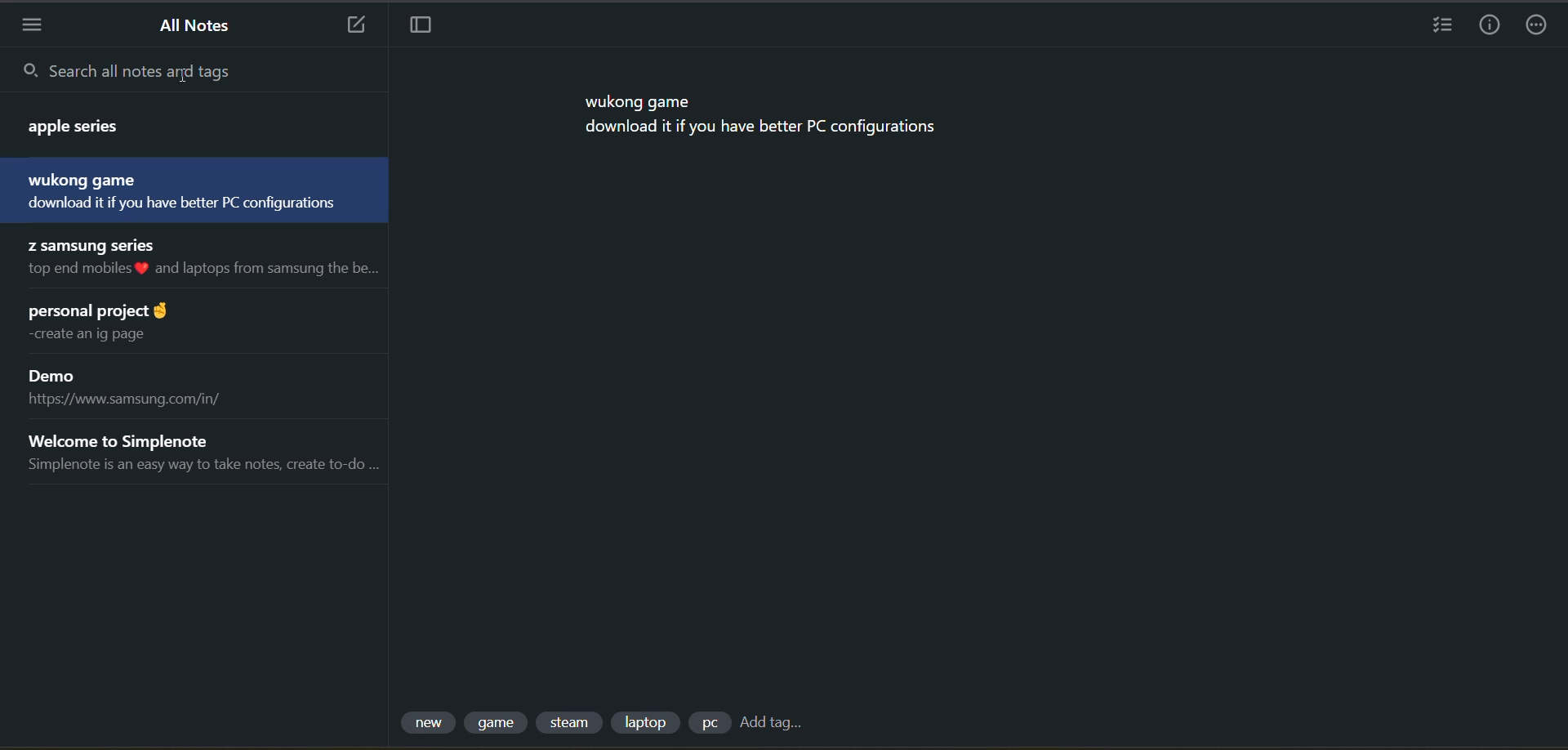 The image size is (1568, 750). What do you see at coordinates (421, 24) in the screenshot?
I see `toggle focus mode` at bounding box center [421, 24].